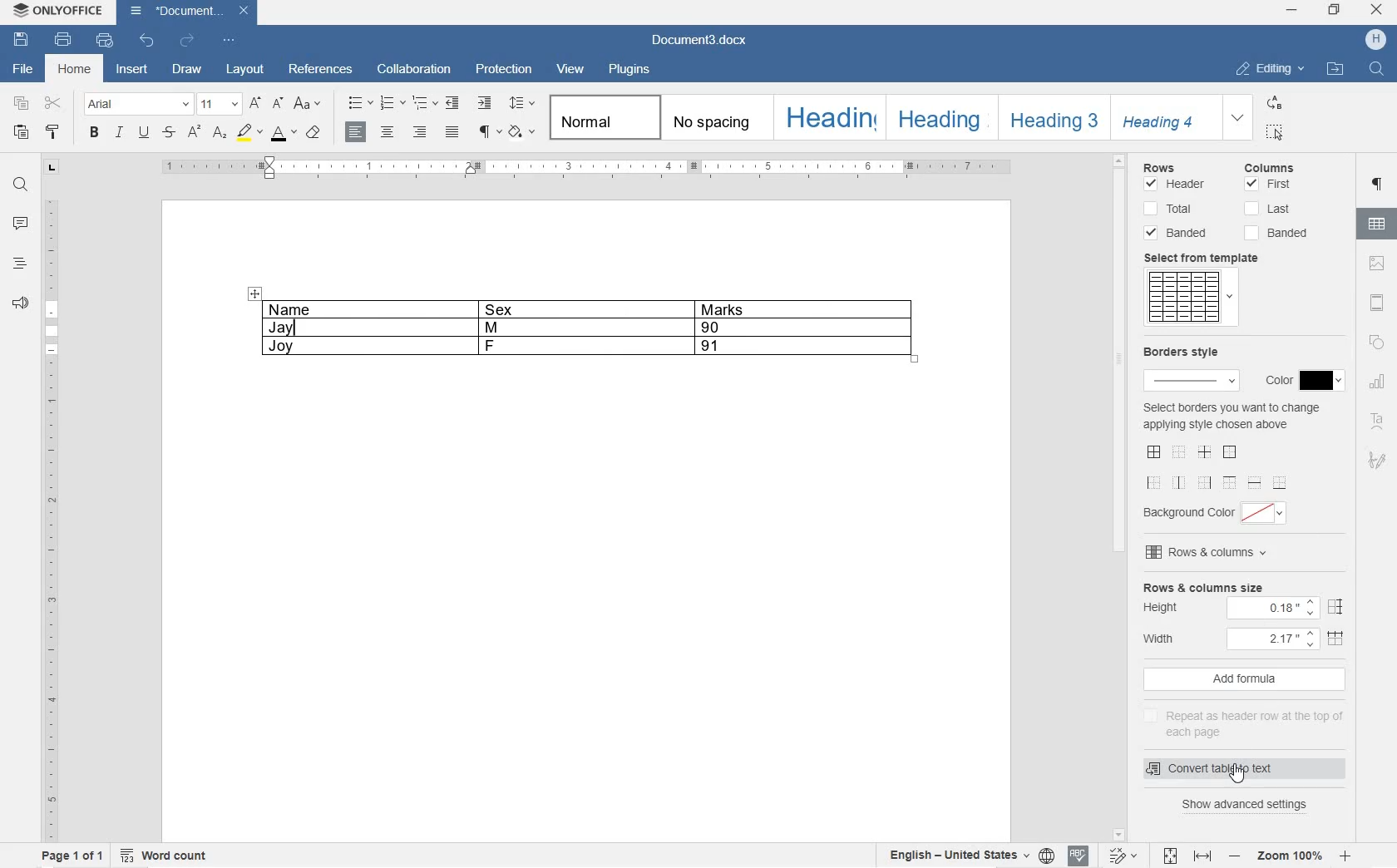 This screenshot has width=1397, height=868. What do you see at coordinates (1301, 381) in the screenshot?
I see `border color` at bounding box center [1301, 381].